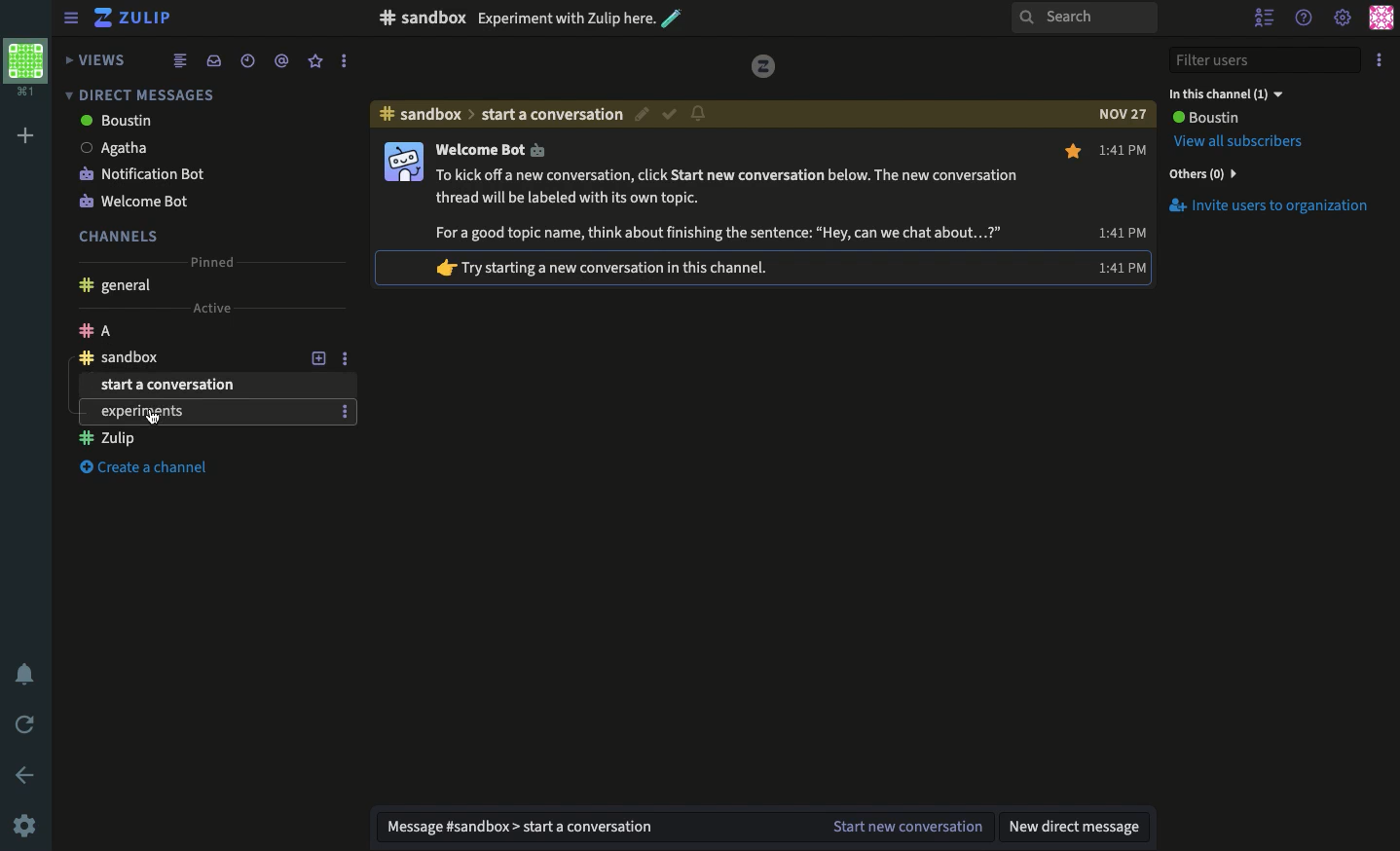 The width and height of the screenshot is (1400, 851). What do you see at coordinates (724, 191) in the screenshot?
I see `Messages` at bounding box center [724, 191].